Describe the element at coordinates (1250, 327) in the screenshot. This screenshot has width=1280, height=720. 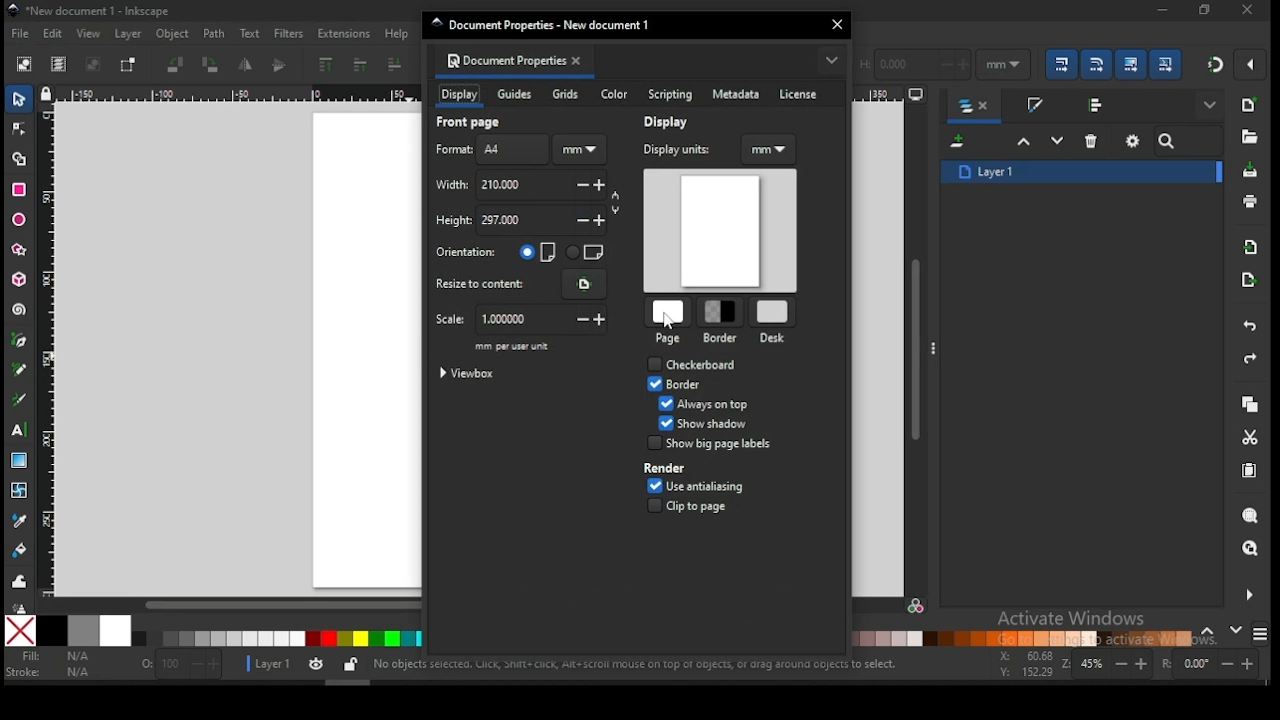
I see `undo` at that location.